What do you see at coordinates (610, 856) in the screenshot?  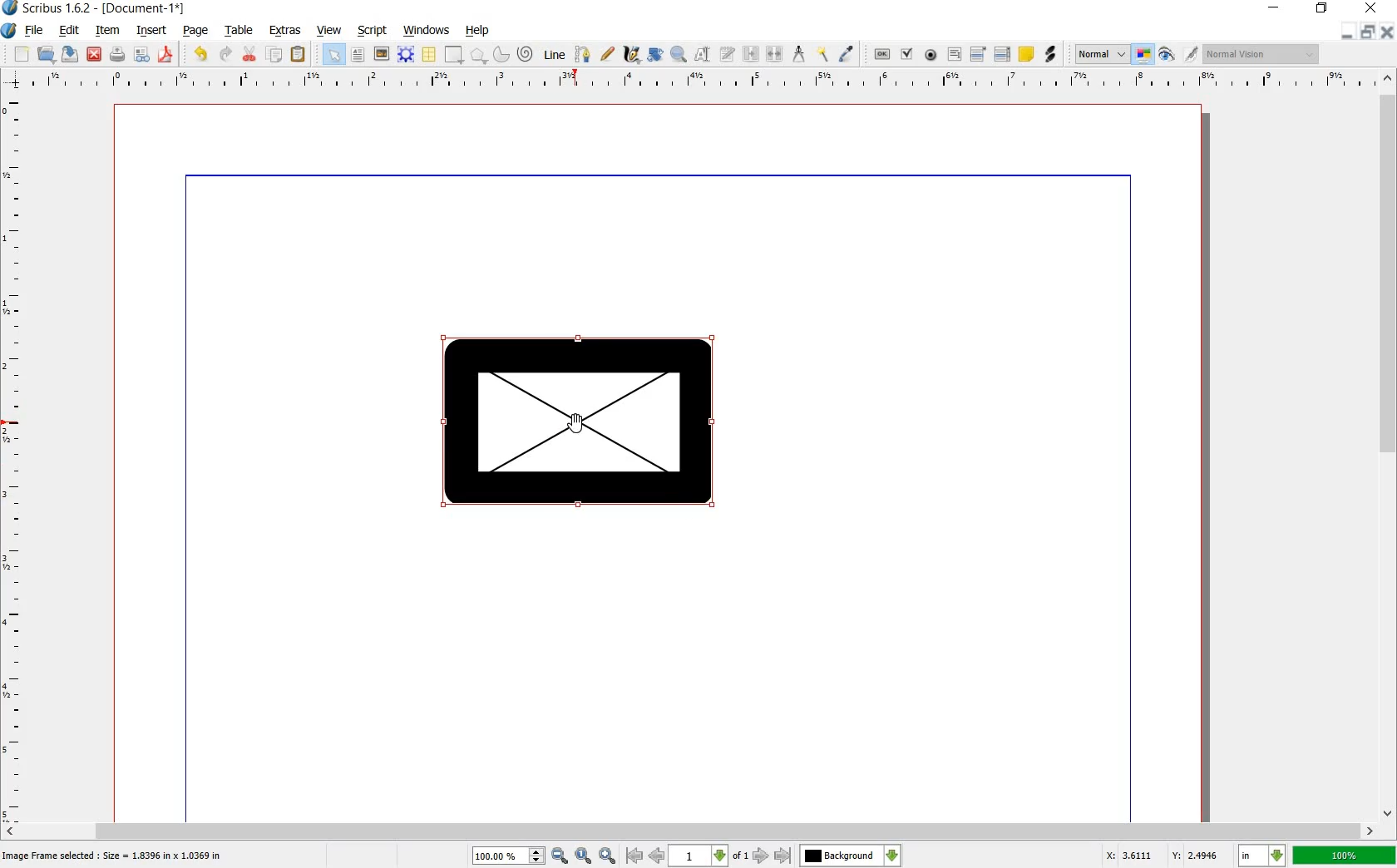 I see `Zoom out` at bounding box center [610, 856].